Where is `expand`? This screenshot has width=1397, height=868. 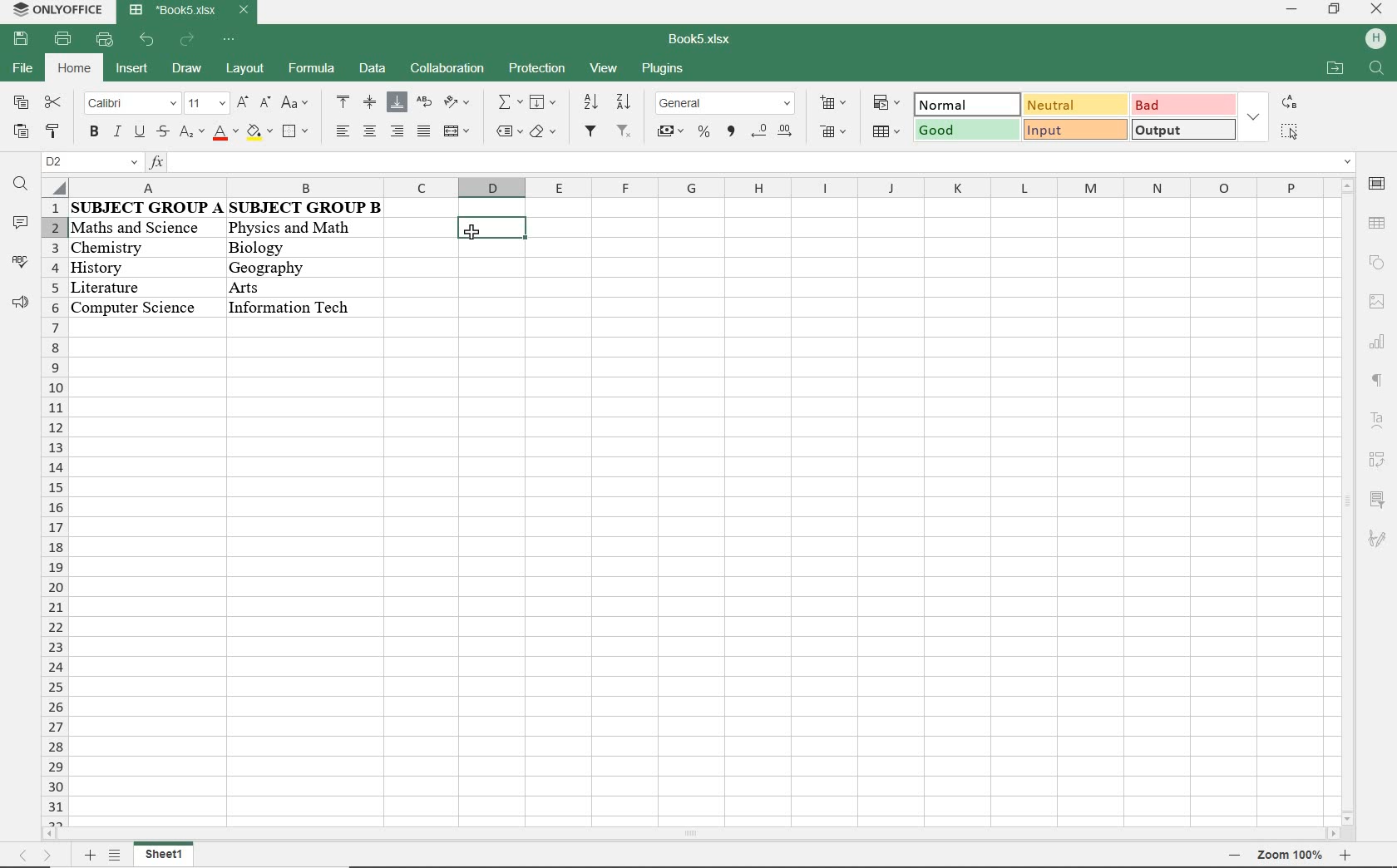
expand is located at coordinates (1255, 118).